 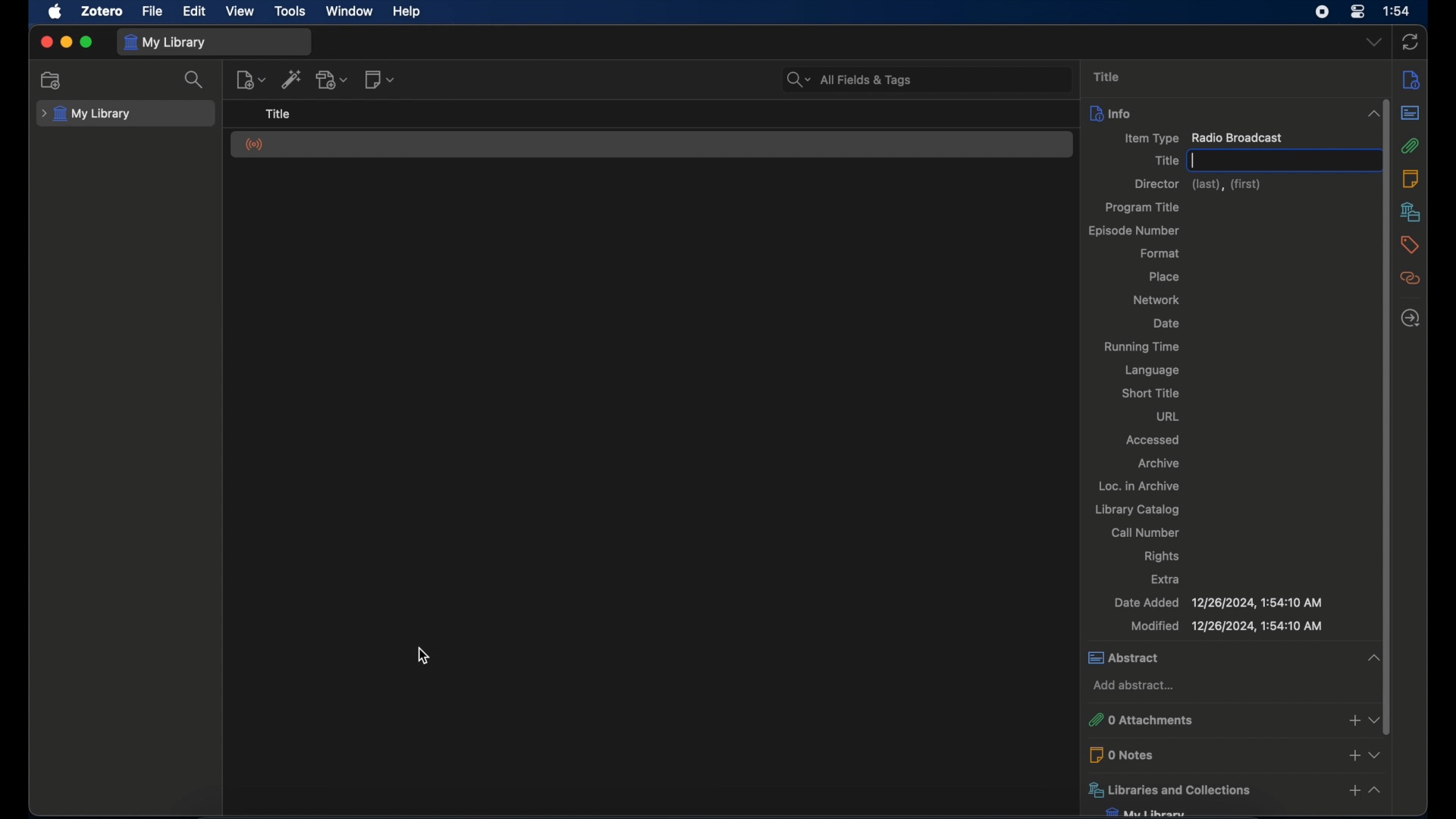 I want to click on title, so click(x=277, y=114).